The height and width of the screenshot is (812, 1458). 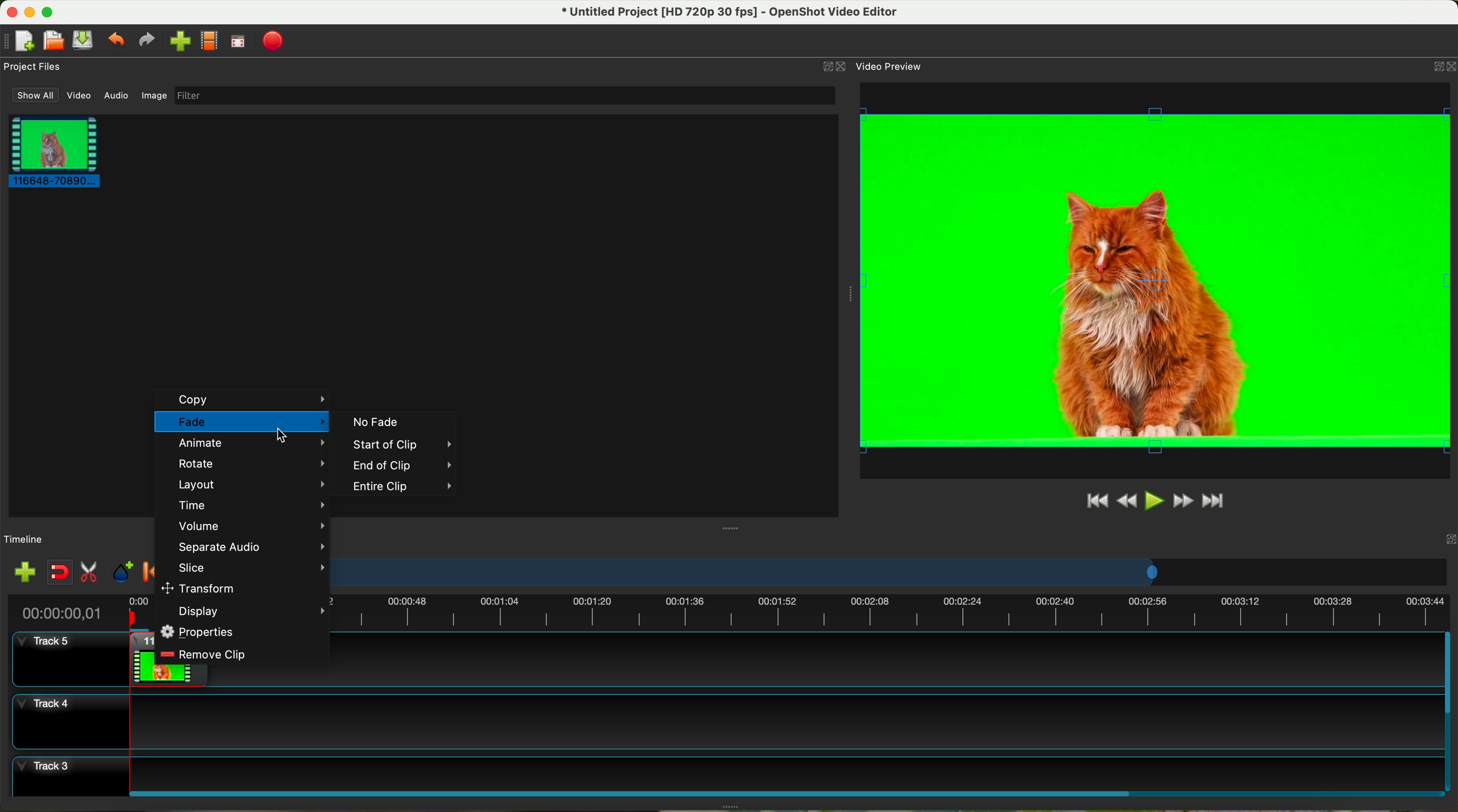 I want to click on minimize program, so click(x=31, y=12).